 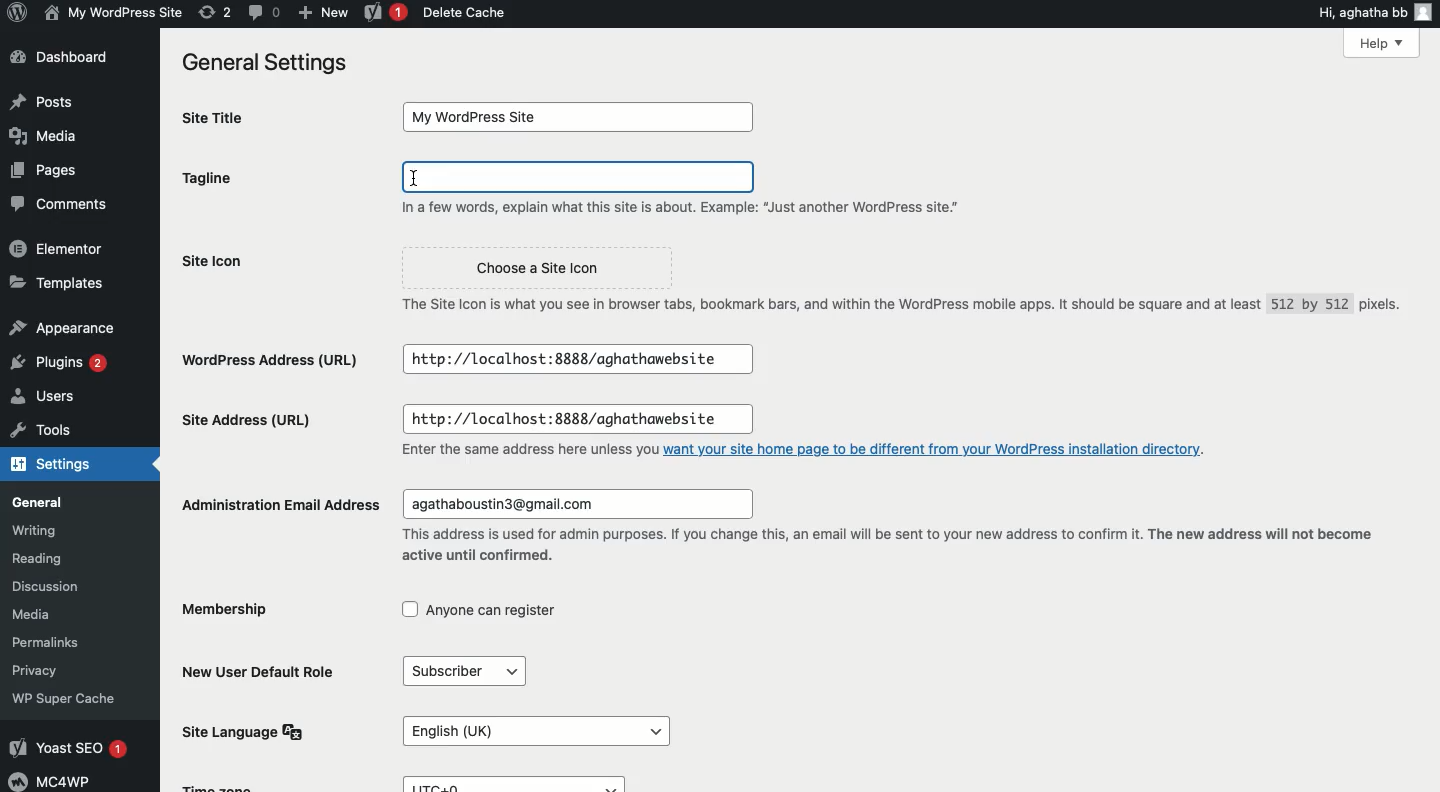 I want to click on New user default role, so click(x=262, y=671).